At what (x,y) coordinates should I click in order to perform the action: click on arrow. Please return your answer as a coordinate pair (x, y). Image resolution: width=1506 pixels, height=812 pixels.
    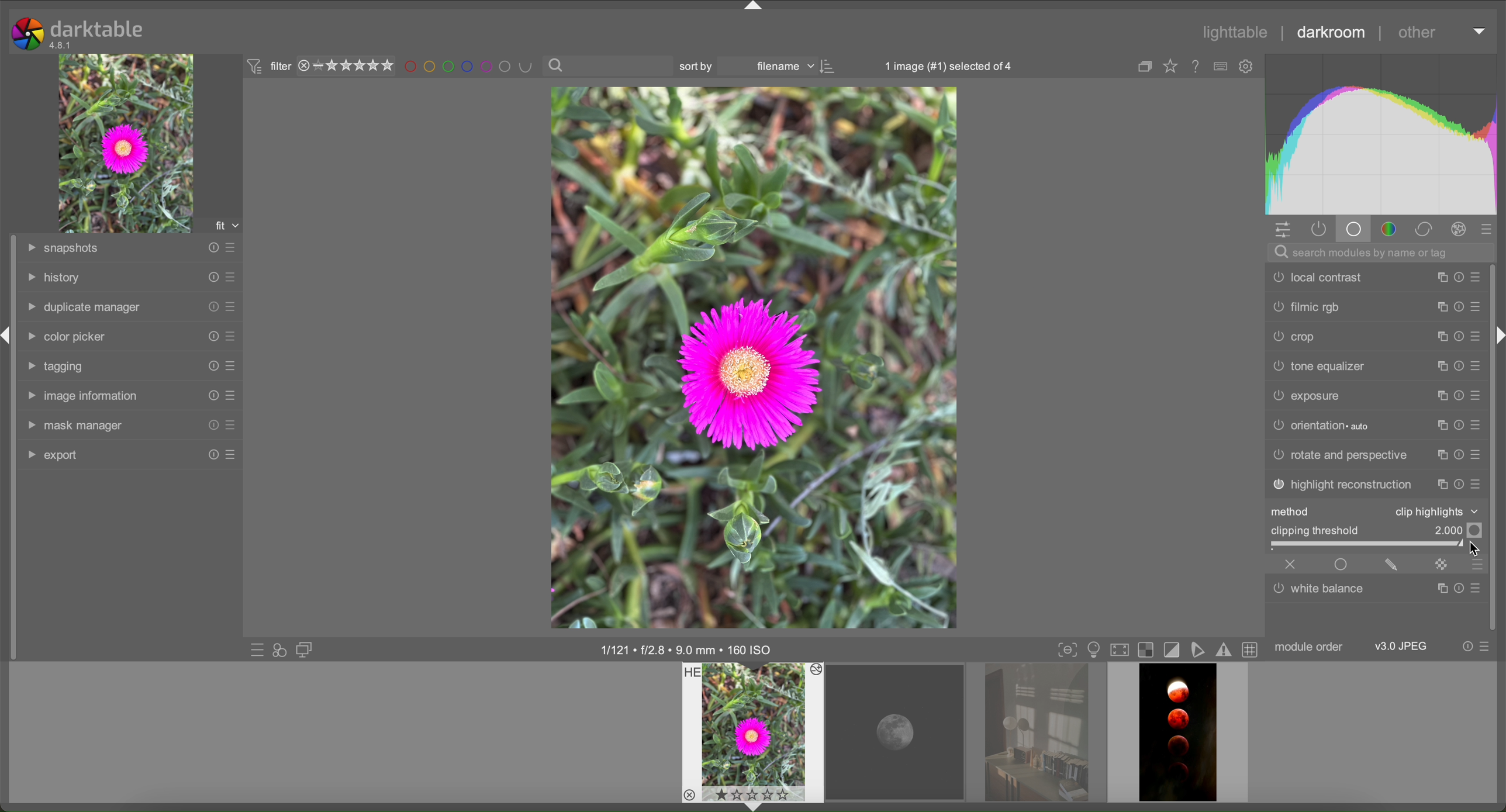
    Looking at the image, I should click on (754, 7).